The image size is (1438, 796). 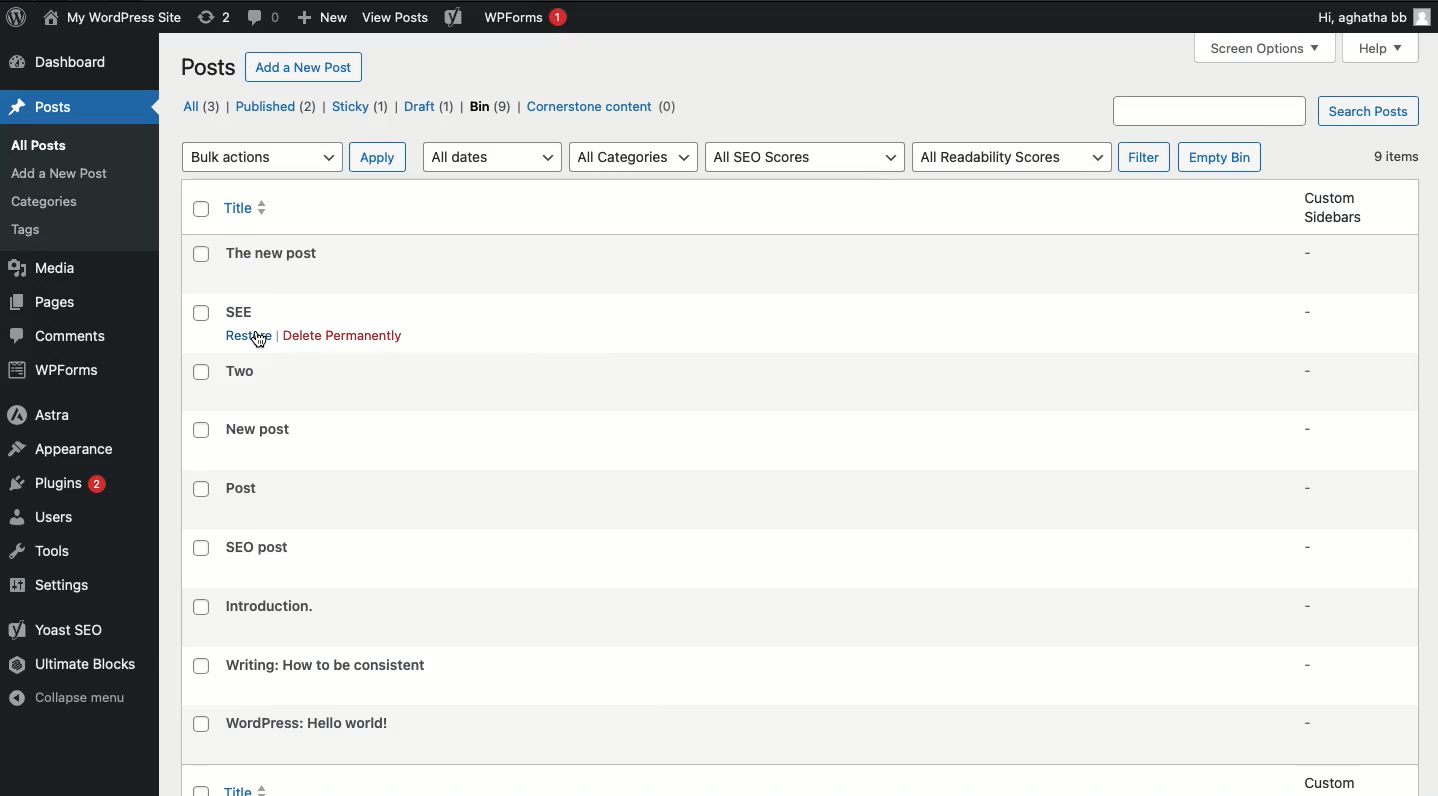 I want to click on All dates, so click(x=492, y=157).